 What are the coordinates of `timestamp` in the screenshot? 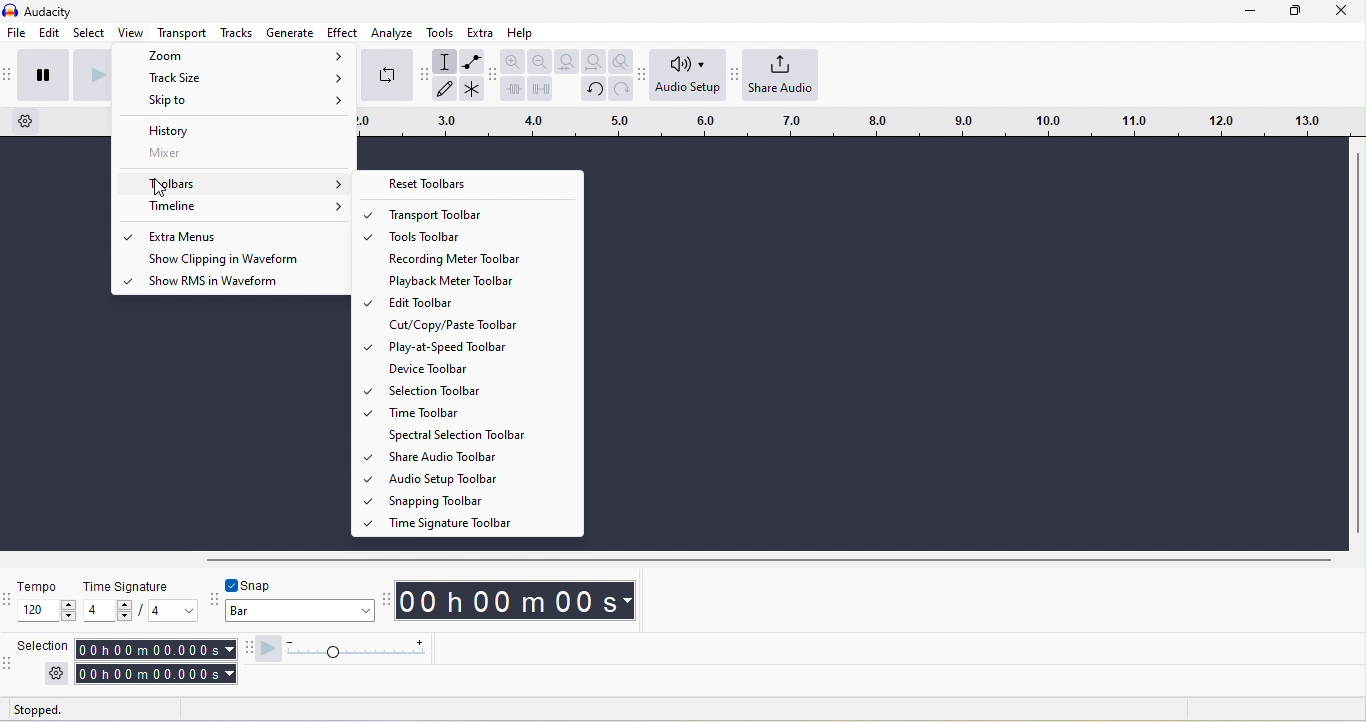 It's located at (515, 601).